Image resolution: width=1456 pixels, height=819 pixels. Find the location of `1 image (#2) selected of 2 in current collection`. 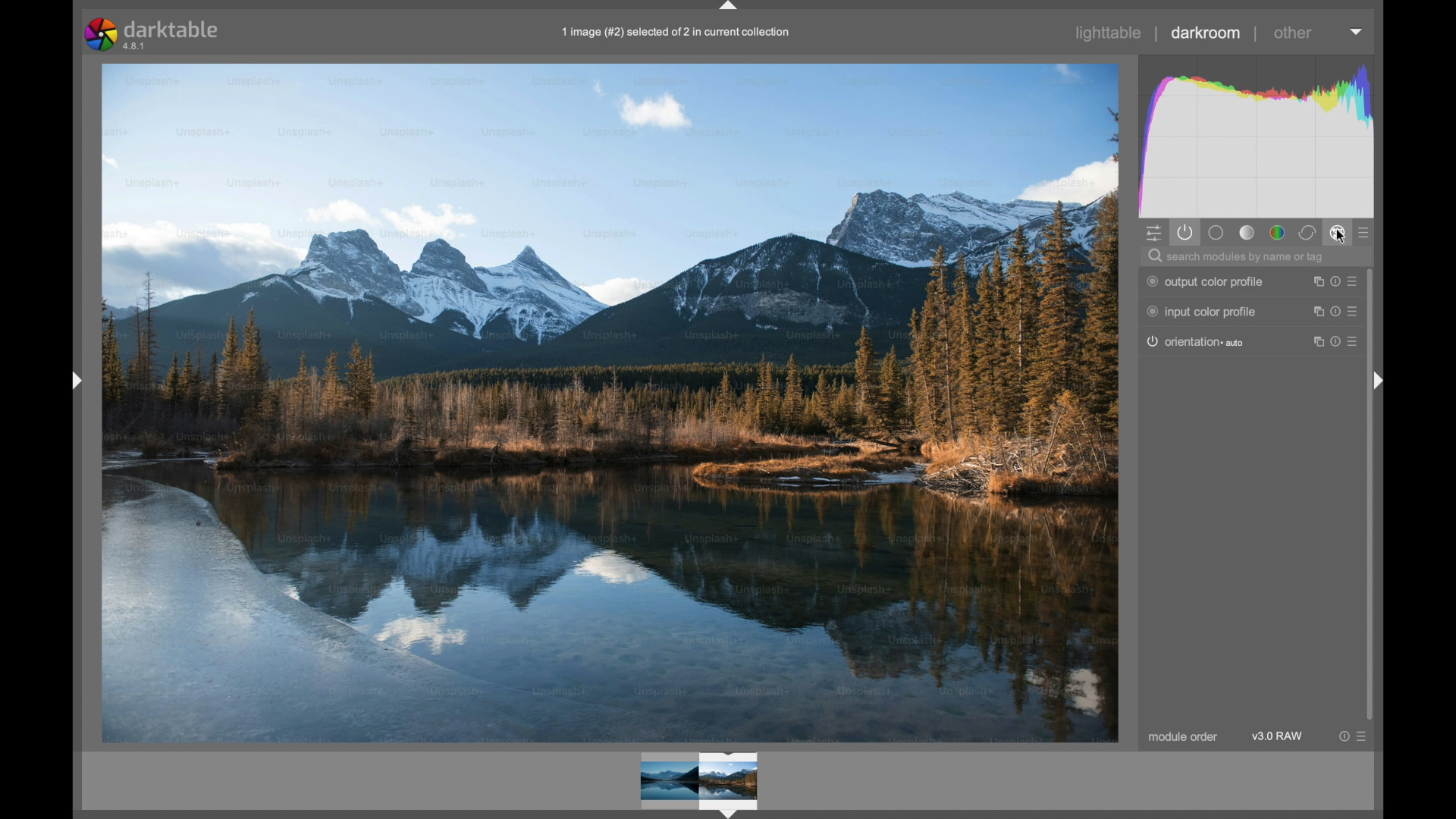

1 image (#2) selected of 2 in current collection is located at coordinates (682, 37).